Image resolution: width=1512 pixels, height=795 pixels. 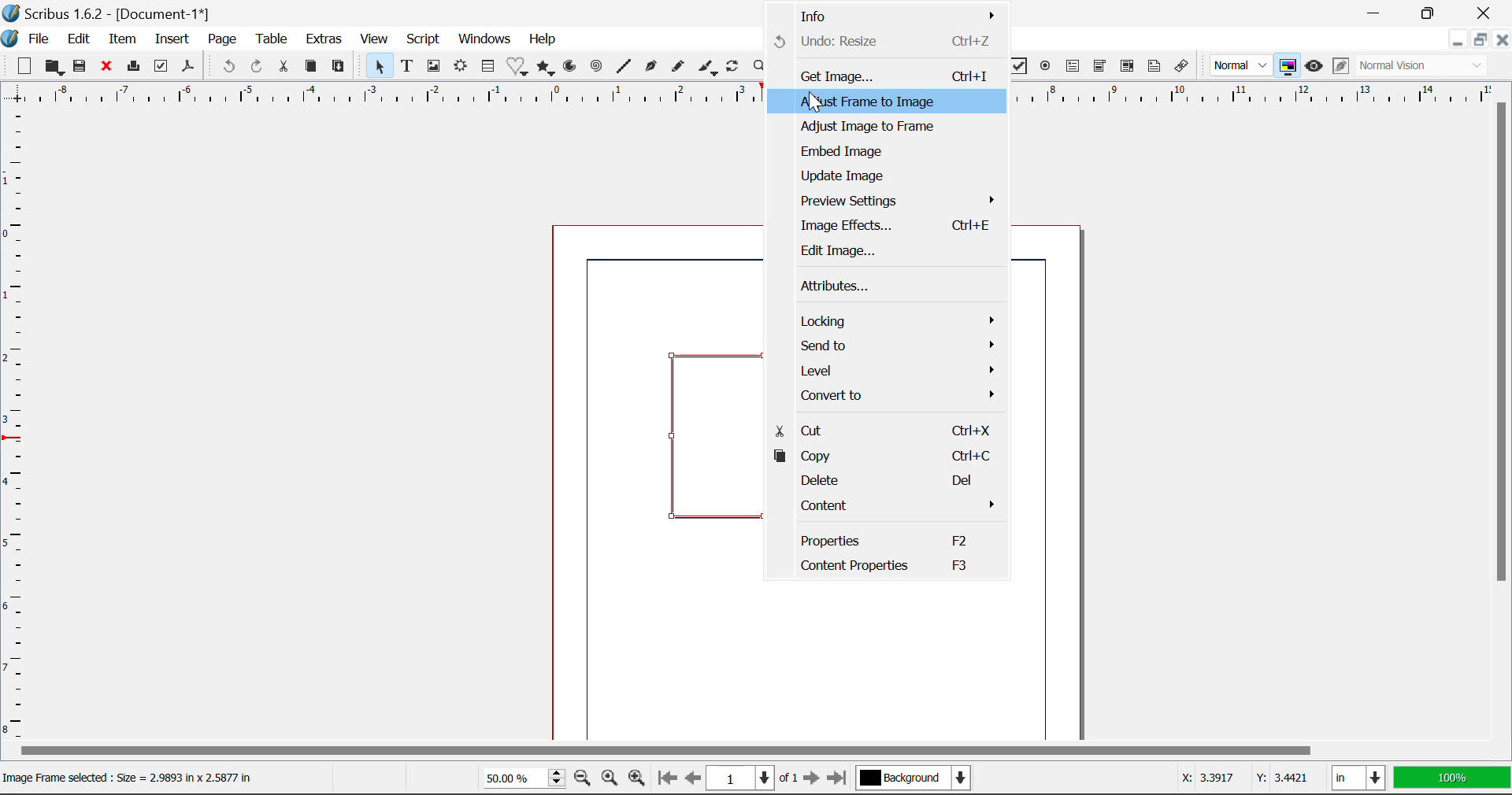 What do you see at coordinates (557, 778) in the screenshot?
I see `Zoom Settings Bar` at bounding box center [557, 778].